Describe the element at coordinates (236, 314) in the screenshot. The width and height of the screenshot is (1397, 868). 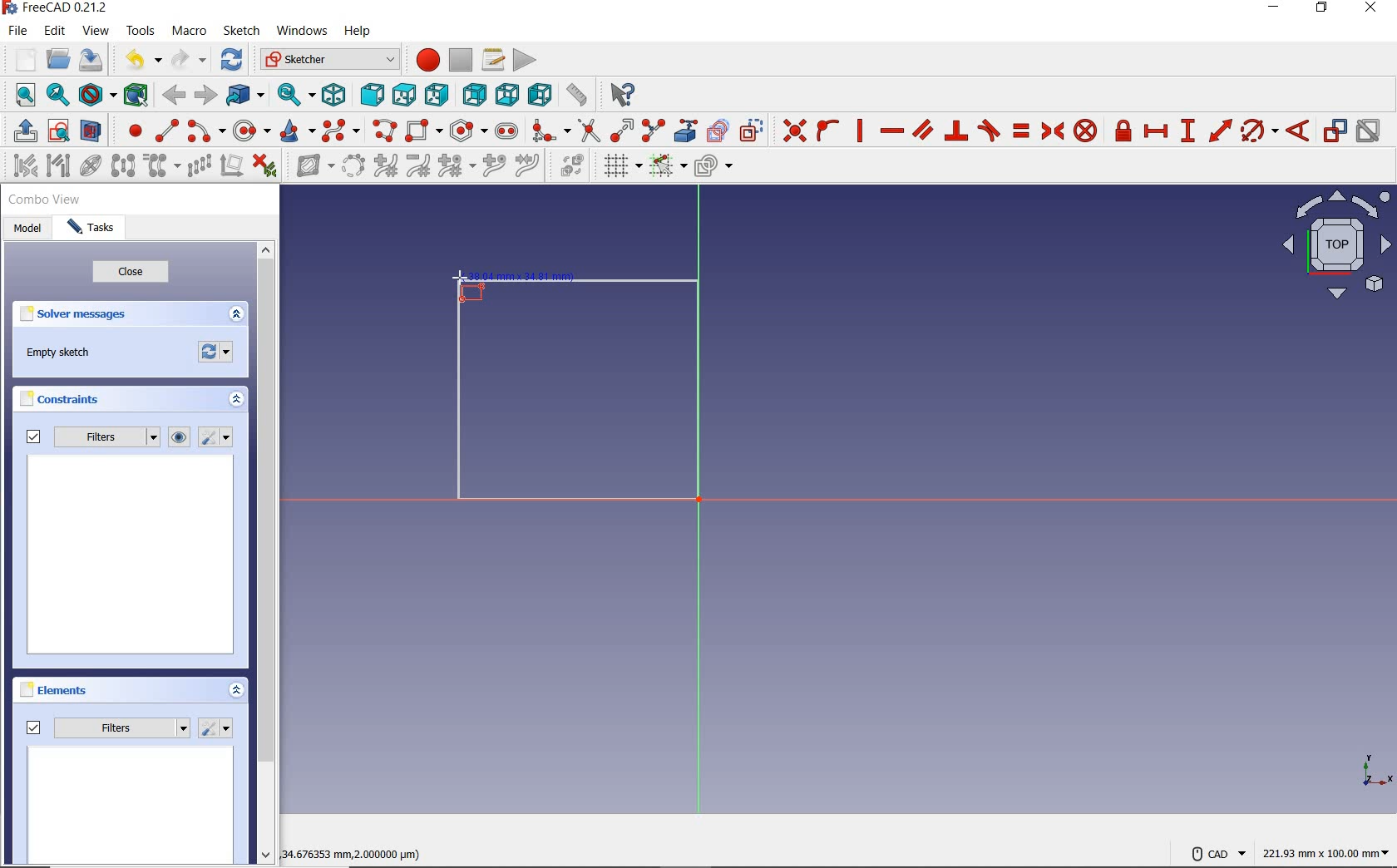
I see `expand` at that location.